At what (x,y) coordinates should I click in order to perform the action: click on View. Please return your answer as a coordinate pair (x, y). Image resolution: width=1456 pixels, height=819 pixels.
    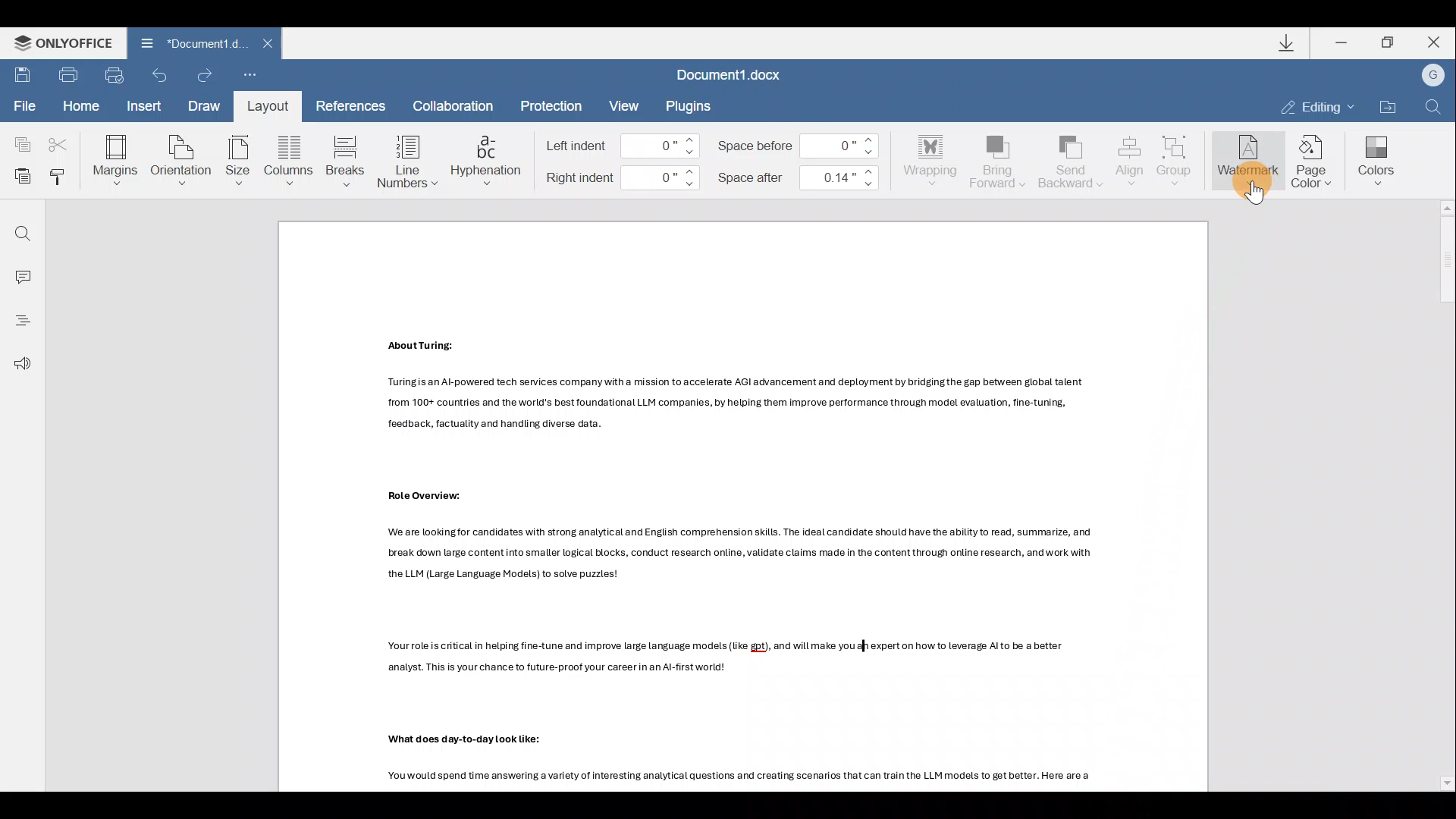
    Looking at the image, I should click on (624, 104).